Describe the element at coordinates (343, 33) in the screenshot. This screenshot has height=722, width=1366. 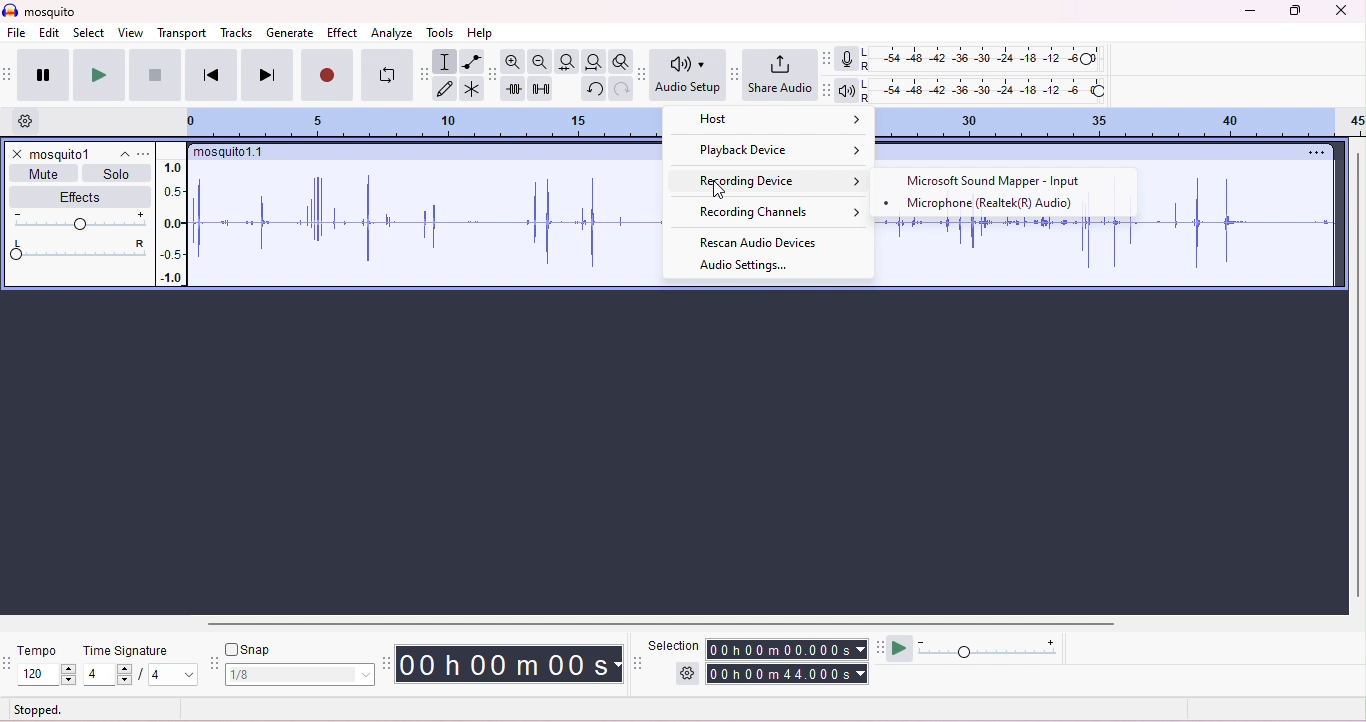
I see `effect` at that location.